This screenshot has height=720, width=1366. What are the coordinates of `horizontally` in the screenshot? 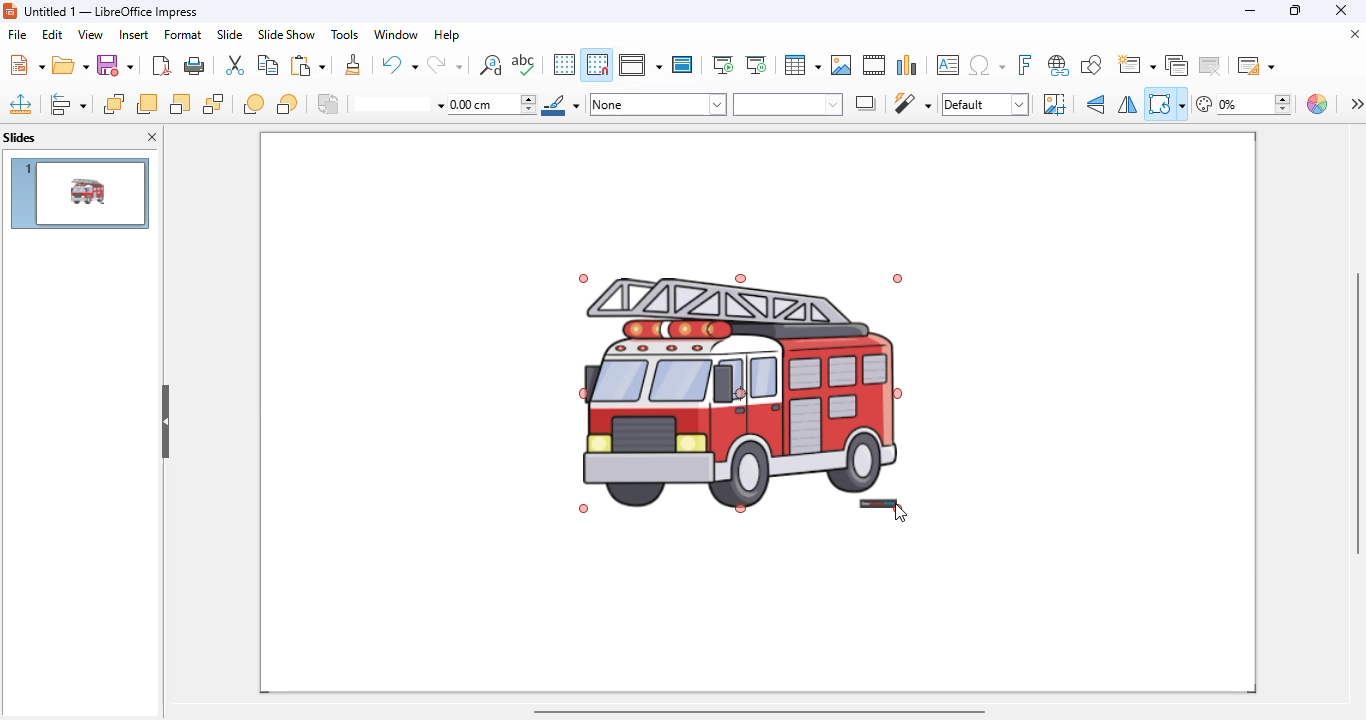 It's located at (1127, 105).